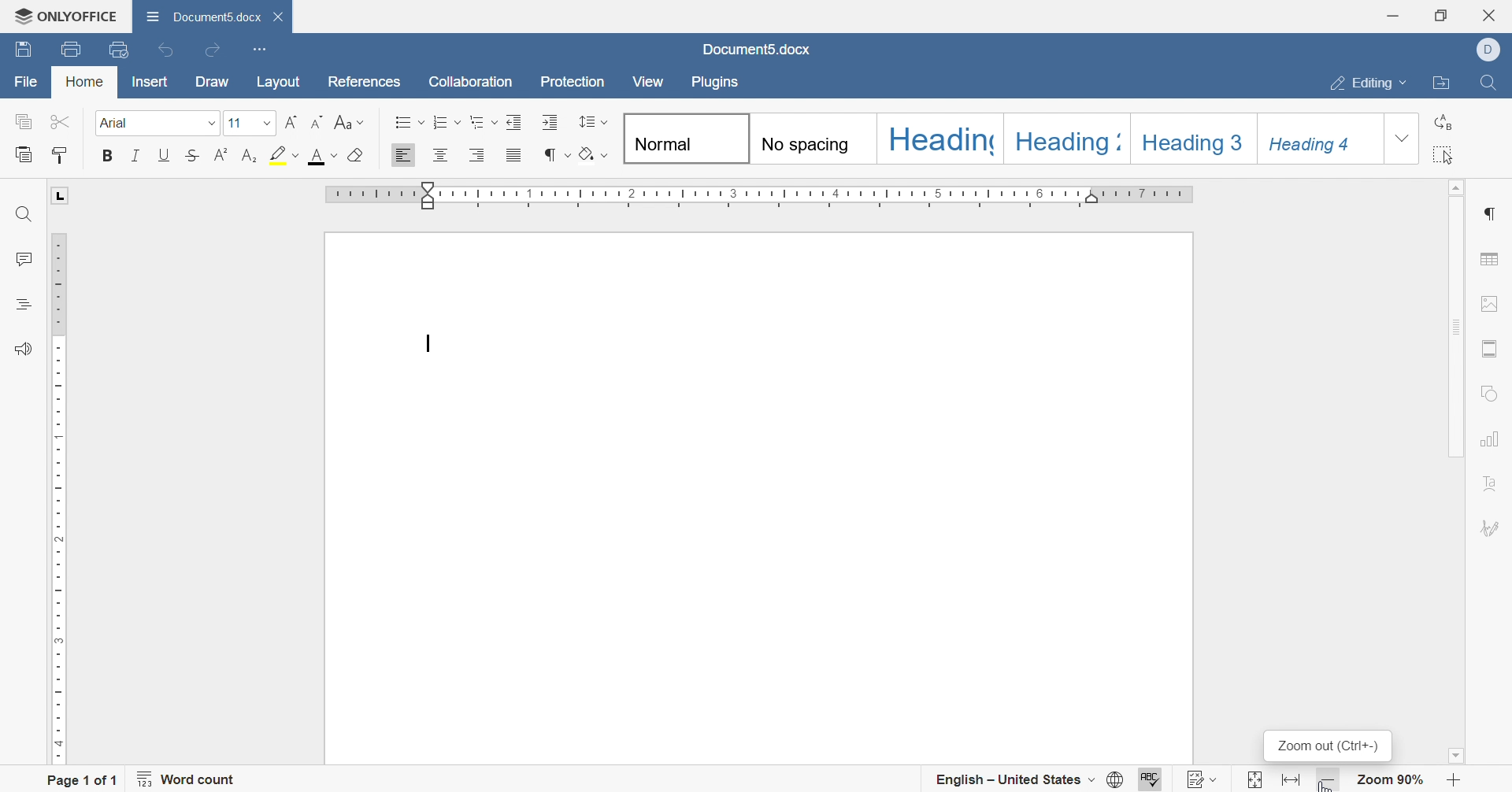 The height and width of the screenshot is (792, 1512). I want to click on copy style, so click(61, 153).